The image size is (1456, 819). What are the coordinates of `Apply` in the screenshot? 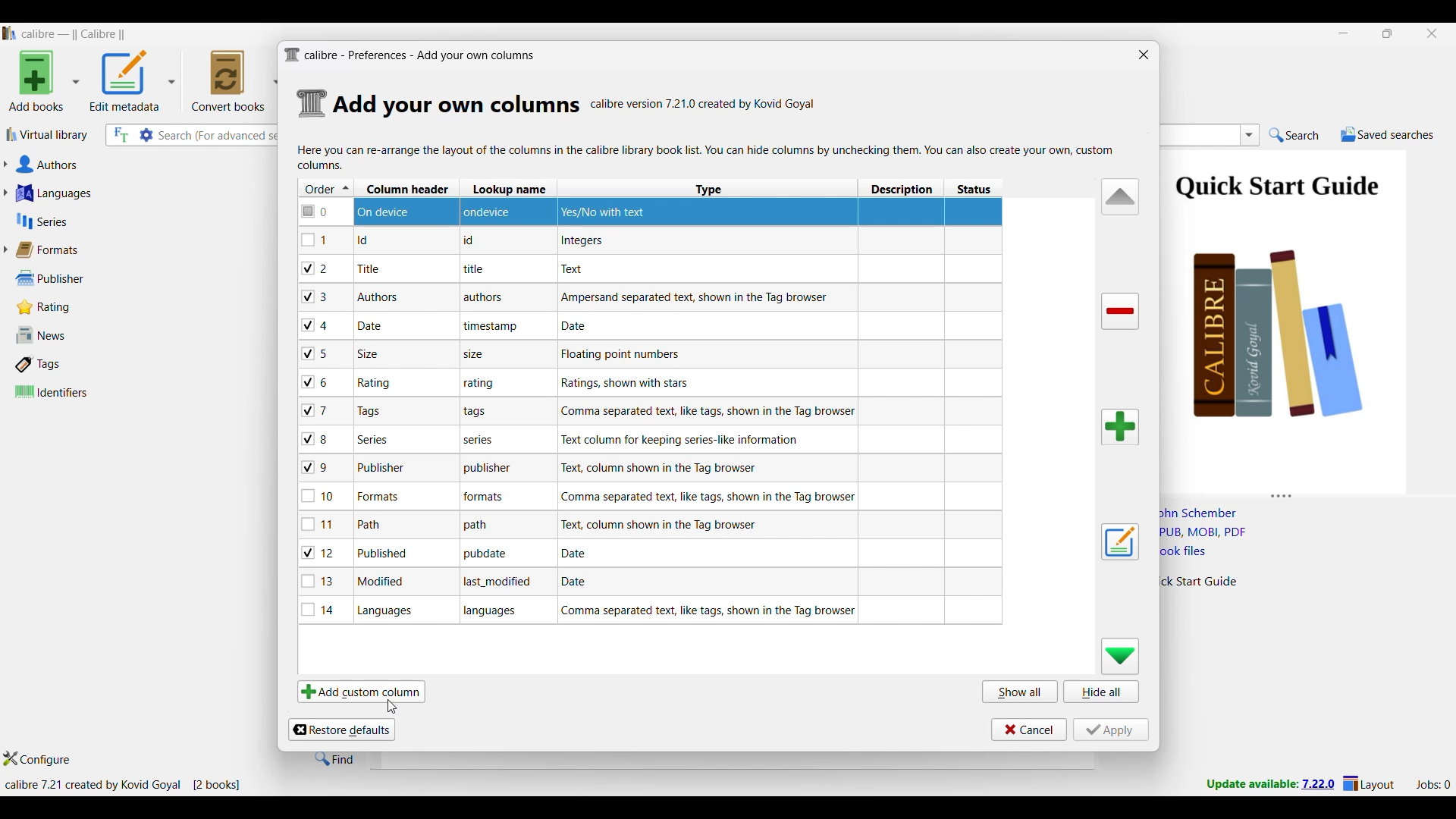 It's located at (1111, 730).